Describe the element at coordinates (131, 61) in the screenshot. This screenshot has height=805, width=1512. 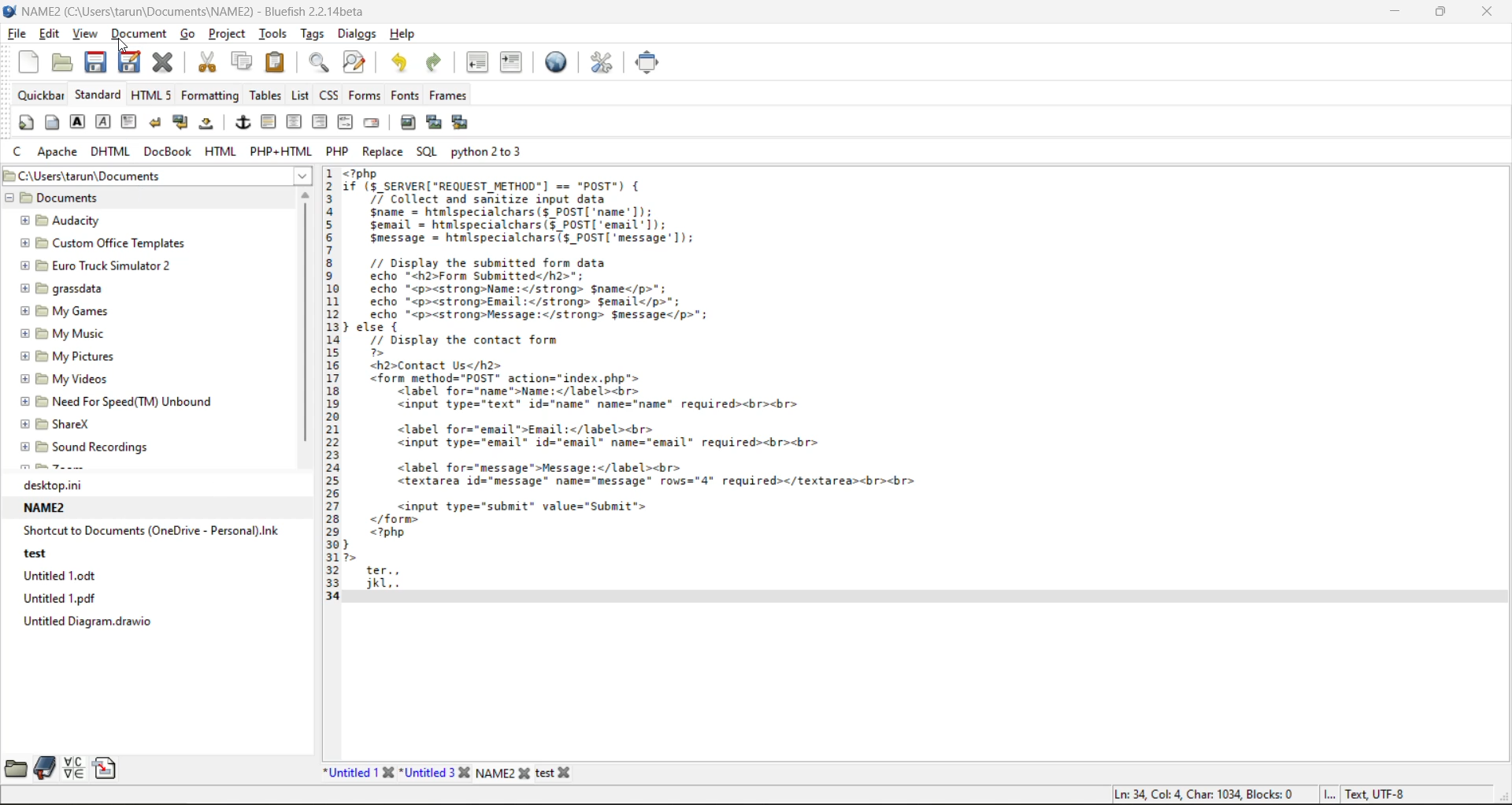
I see `save as` at that location.